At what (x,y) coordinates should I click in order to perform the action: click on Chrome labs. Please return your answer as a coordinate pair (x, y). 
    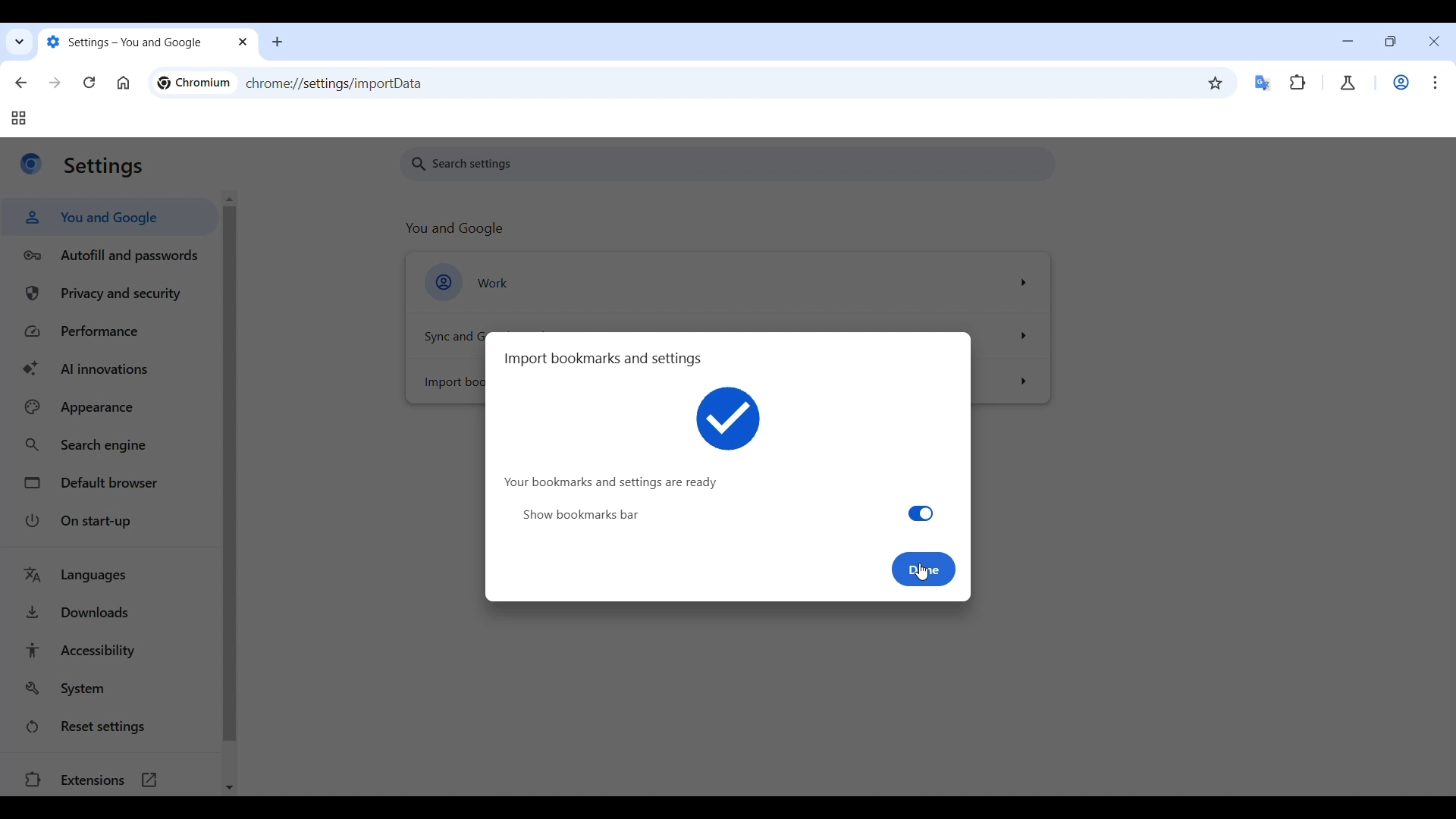
    Looking at the image, I should click on (1348, 83).